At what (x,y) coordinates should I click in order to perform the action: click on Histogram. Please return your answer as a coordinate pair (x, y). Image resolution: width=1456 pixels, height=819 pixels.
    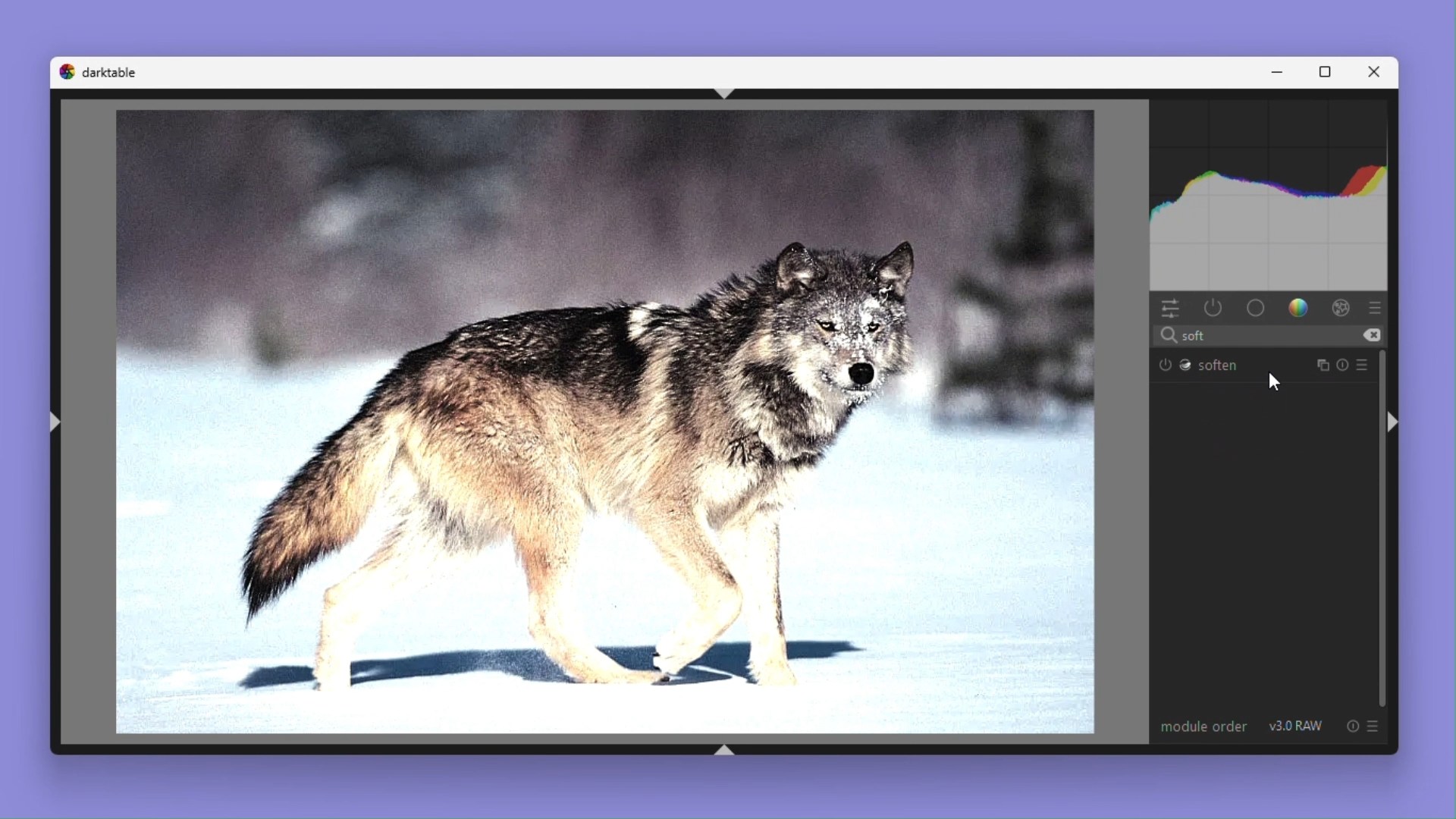
    Looking at the image, I should click on (1273, 192).